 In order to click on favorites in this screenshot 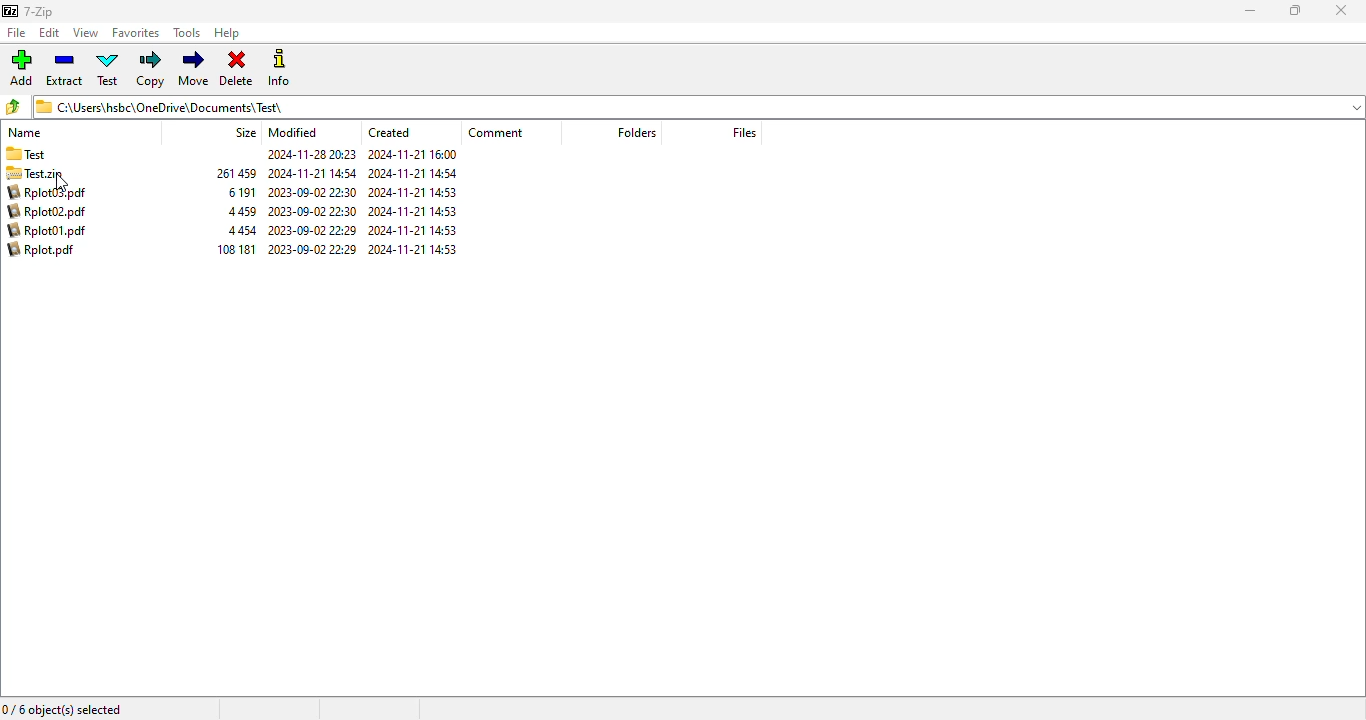, I will do `click(136, 33)`.